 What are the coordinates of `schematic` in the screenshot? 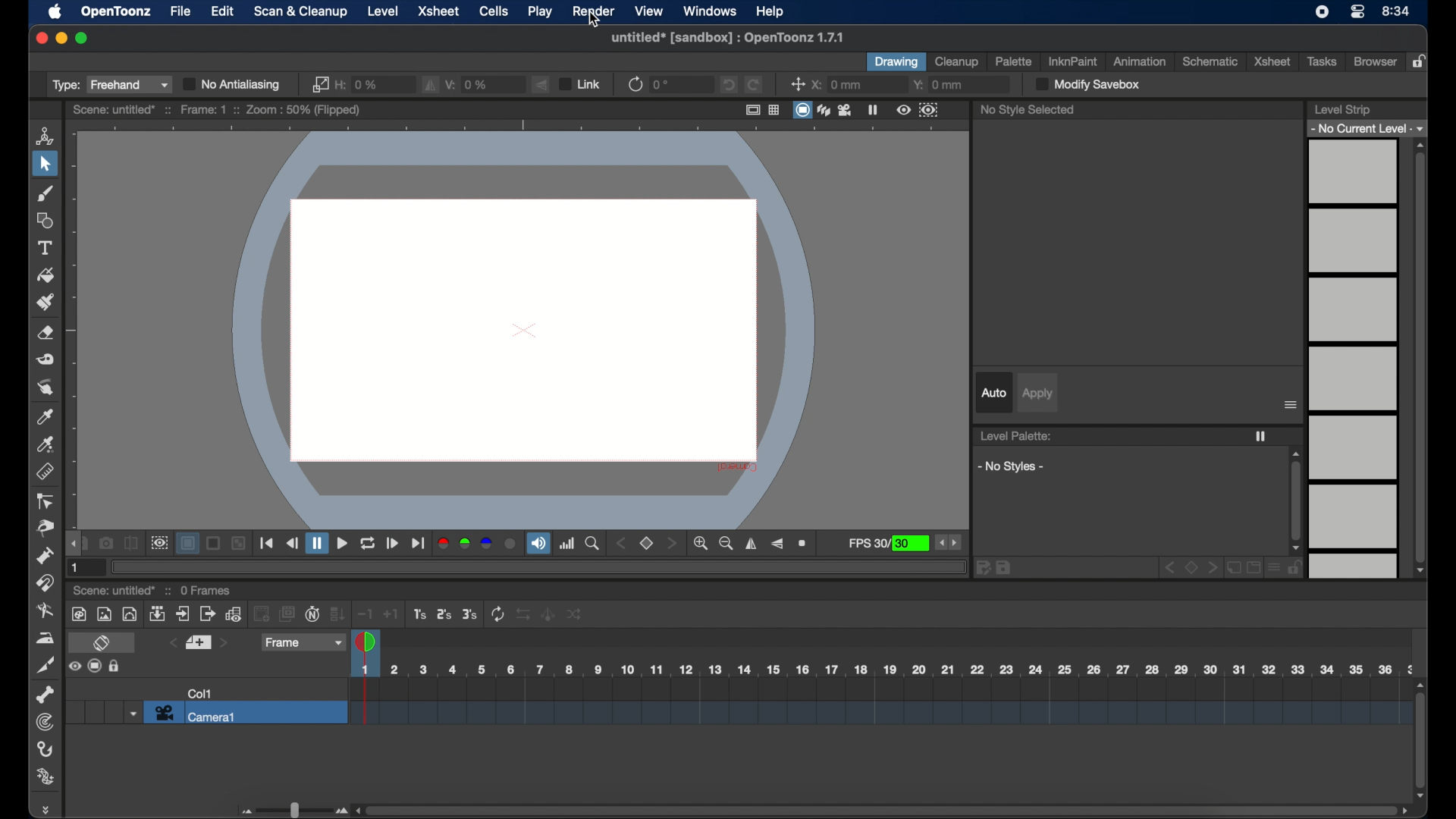 It's located at (1211, 61).